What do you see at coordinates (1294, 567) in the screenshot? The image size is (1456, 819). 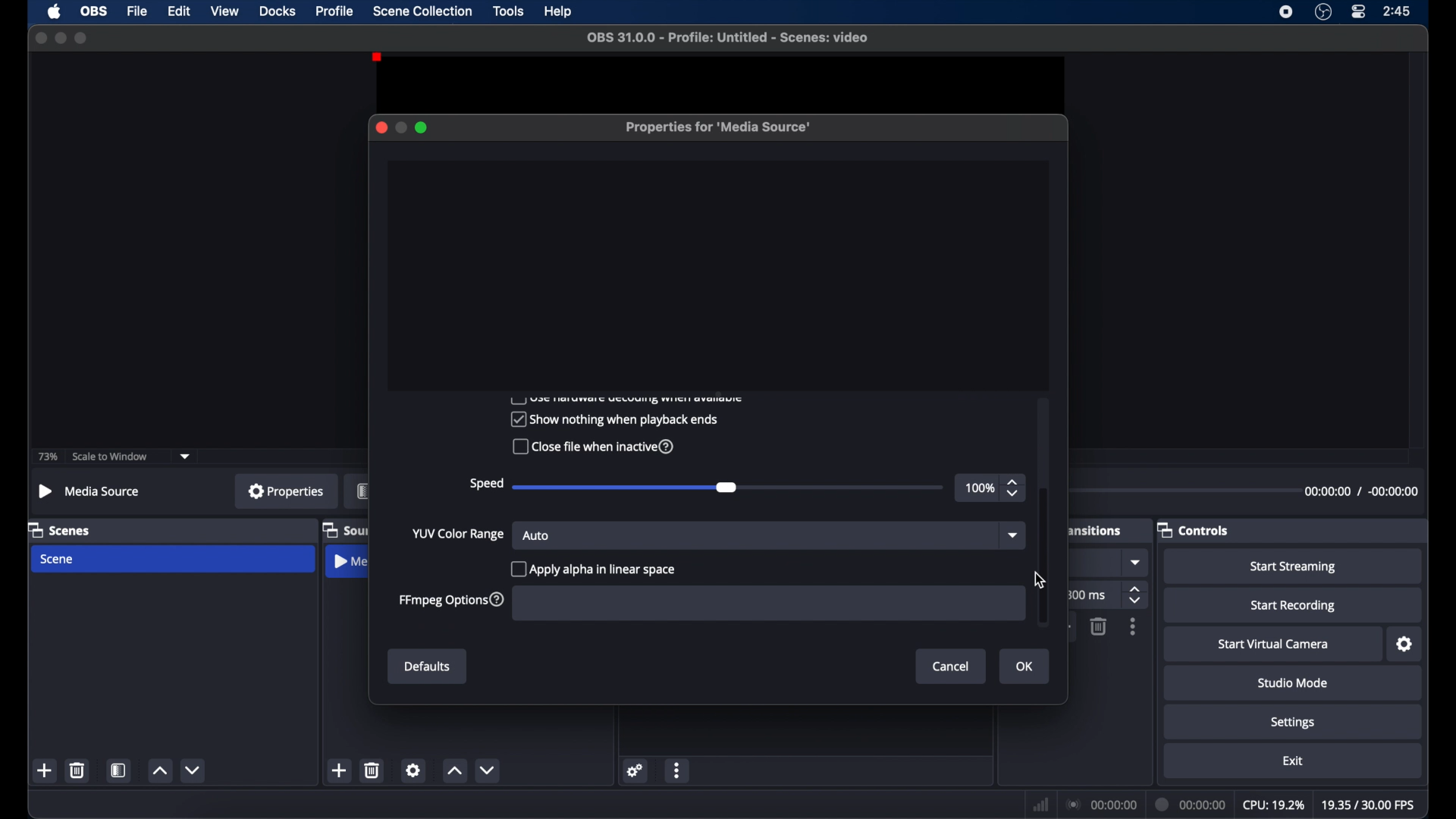 I see `start streaming` at bounding box center [1294, 567].